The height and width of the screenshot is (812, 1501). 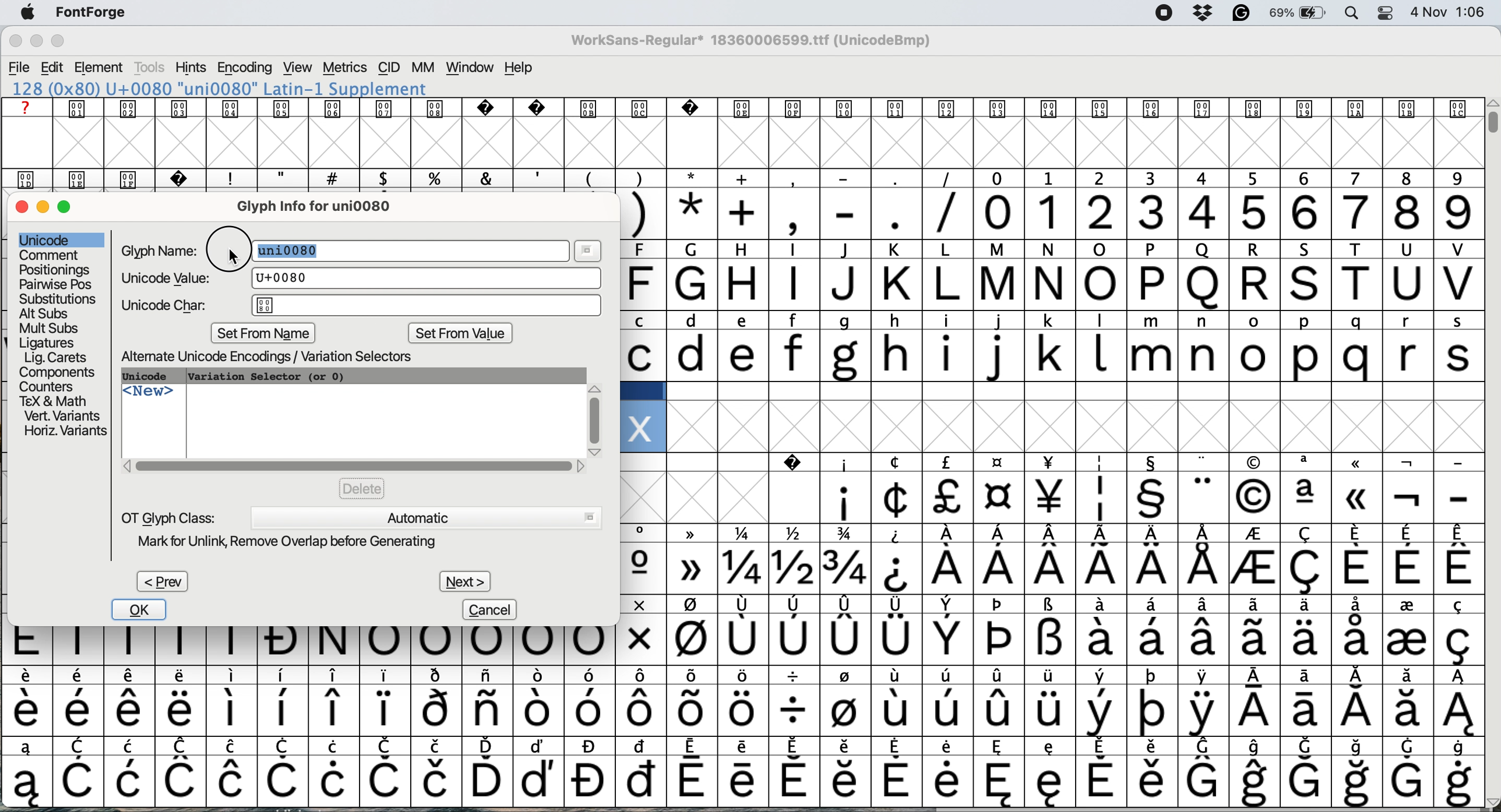 I want to click on new, so click(x=149, y=395).